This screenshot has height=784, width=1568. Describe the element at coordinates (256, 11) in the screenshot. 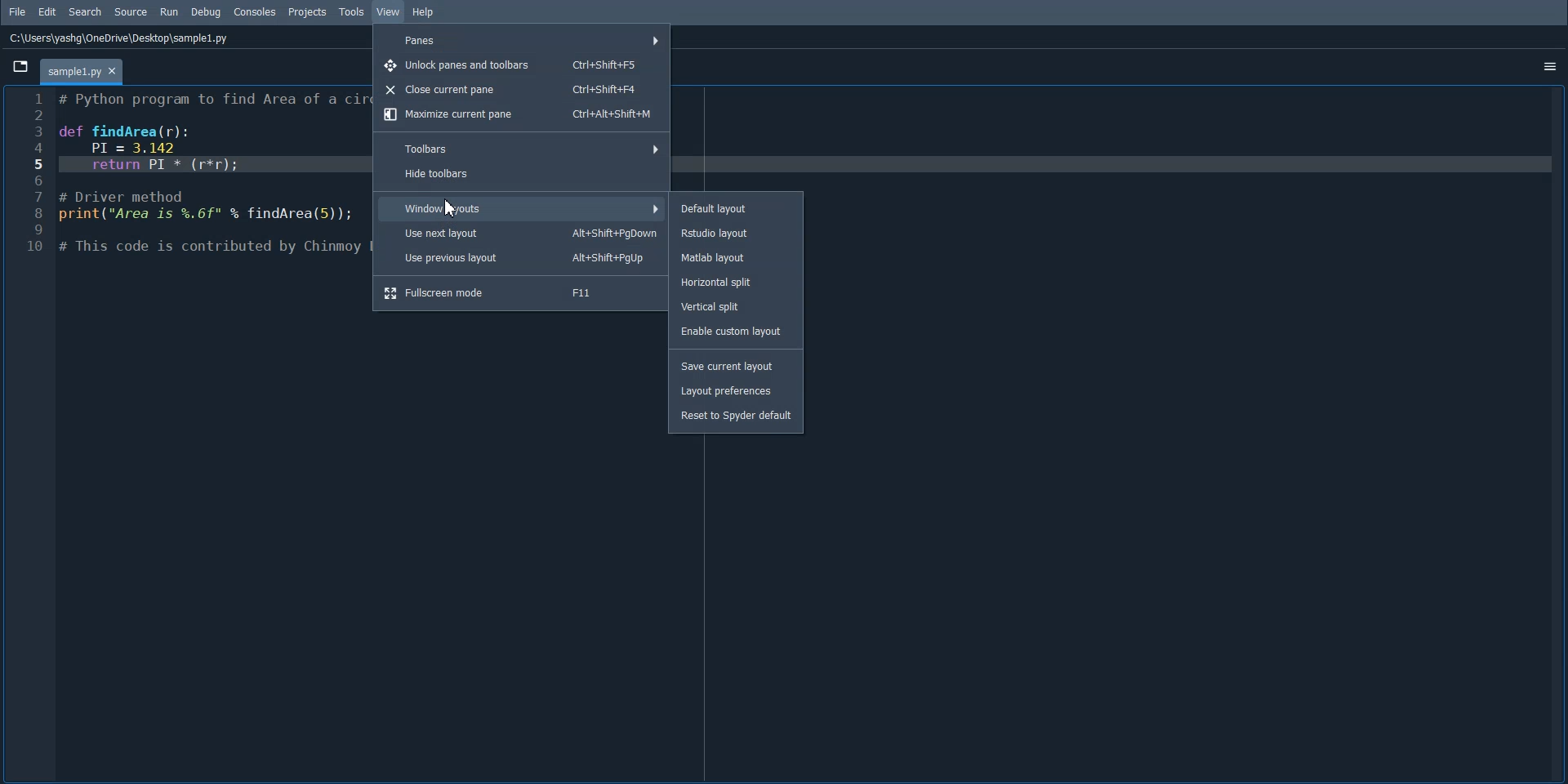

I see `Consoles` at that location.